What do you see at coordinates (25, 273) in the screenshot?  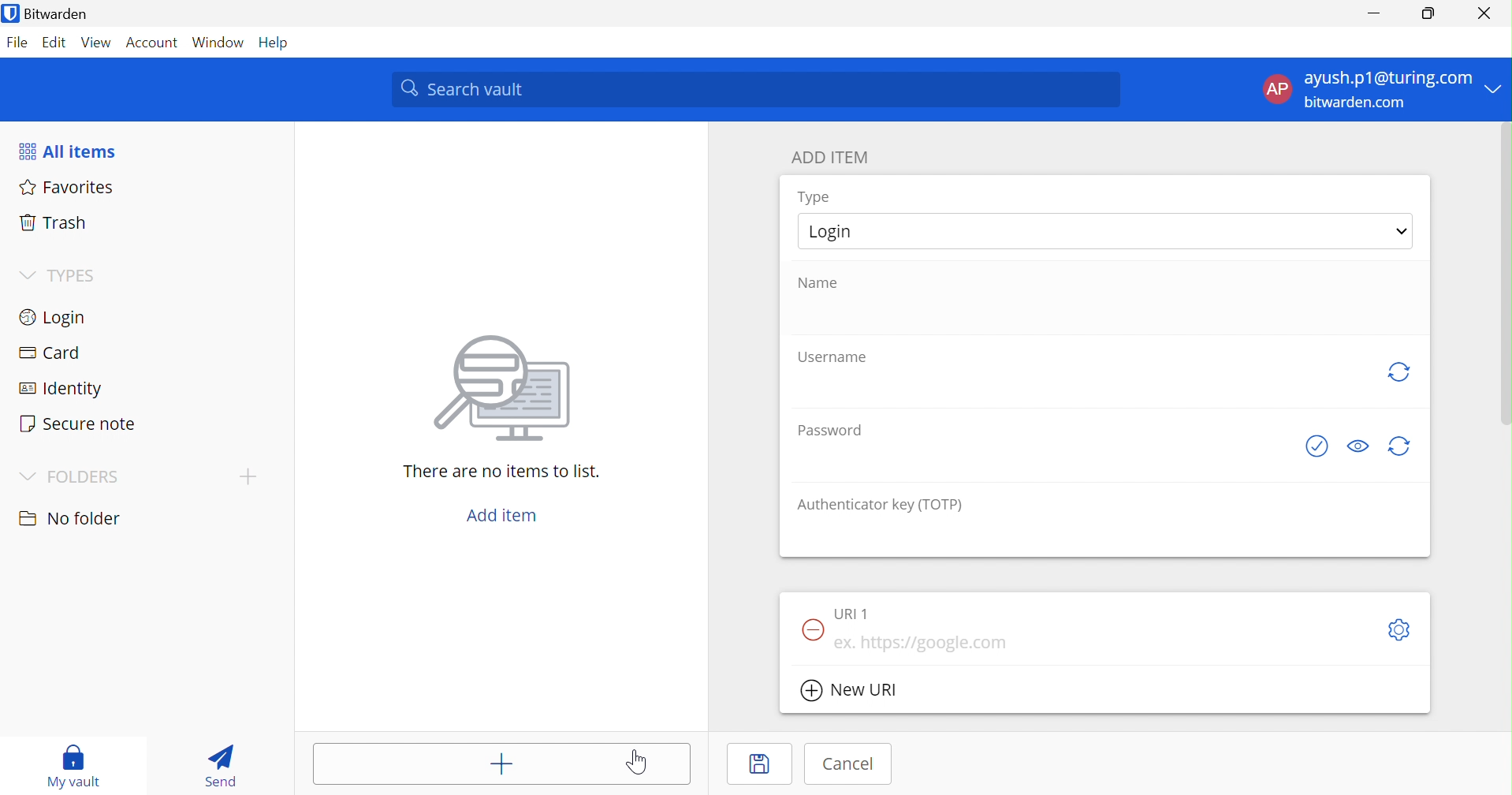 I see `Drop Down` at bounding box center [25, 273].